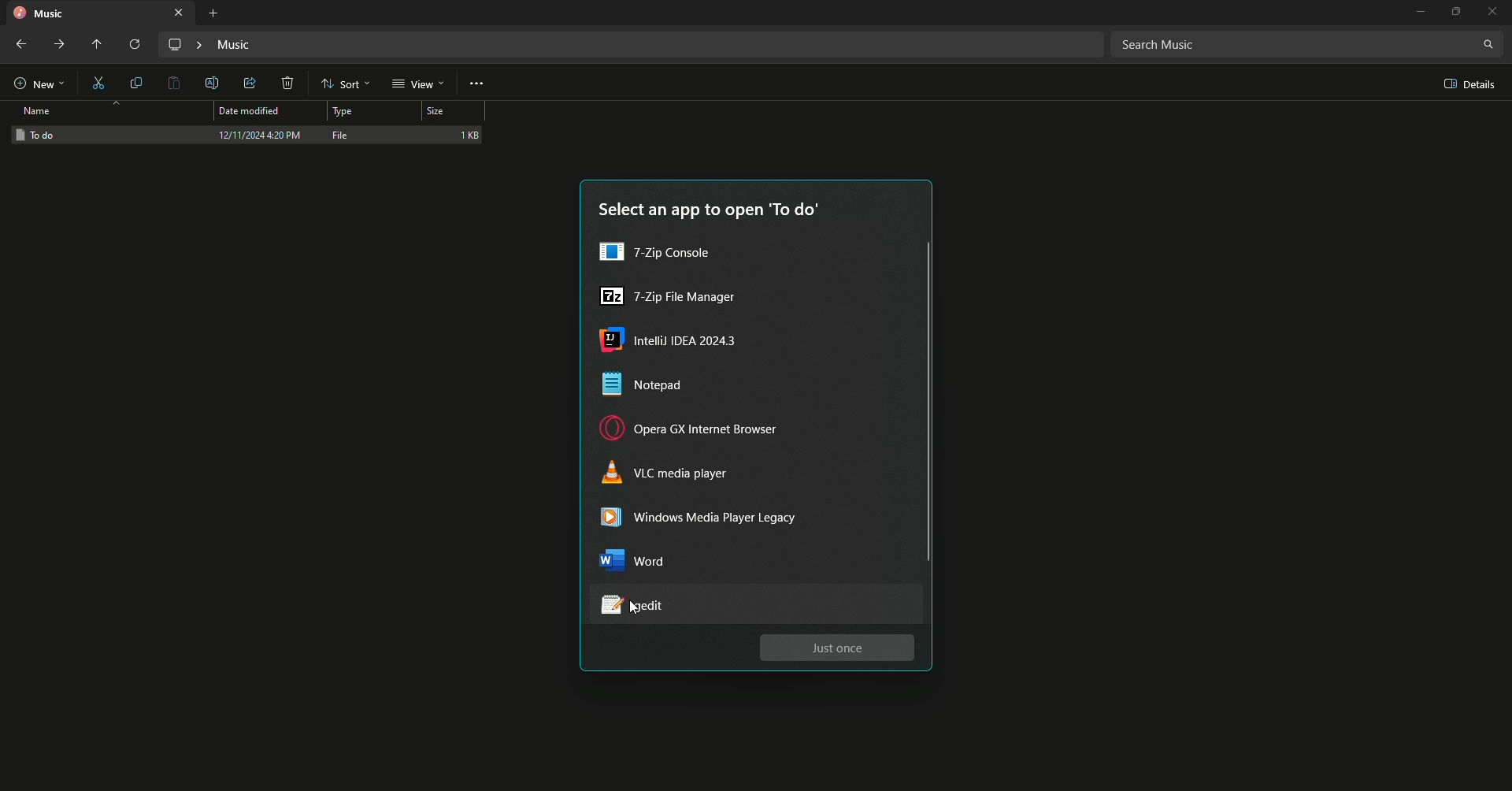 This screenshot has width=1512, height=791. What do you see at coordinates (212, 82) in the screenshot?
I see `Edit` at bounding box center [212, 82].